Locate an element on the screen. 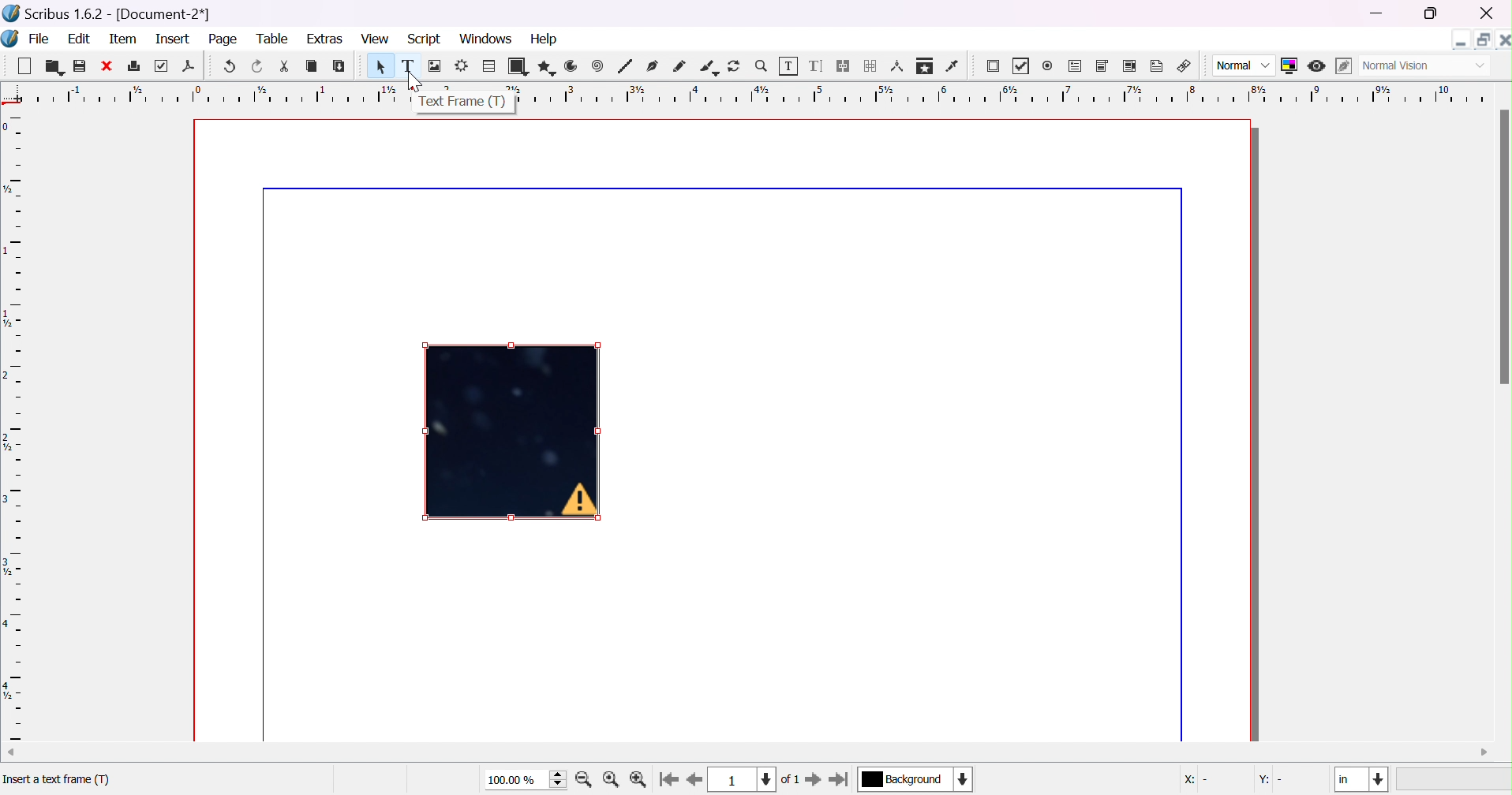  shape is located at coordinates (517, 66).